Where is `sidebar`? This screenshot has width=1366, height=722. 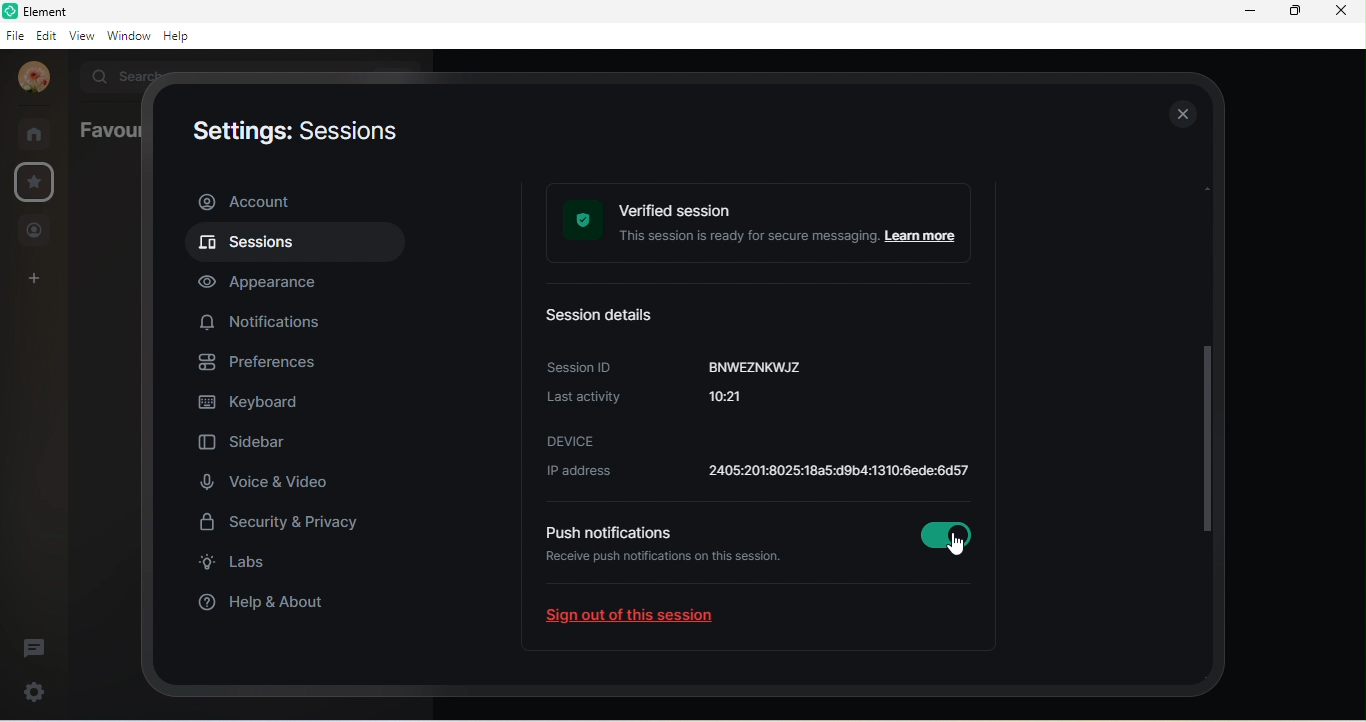
sidebar is located at coordinates (248, 445).